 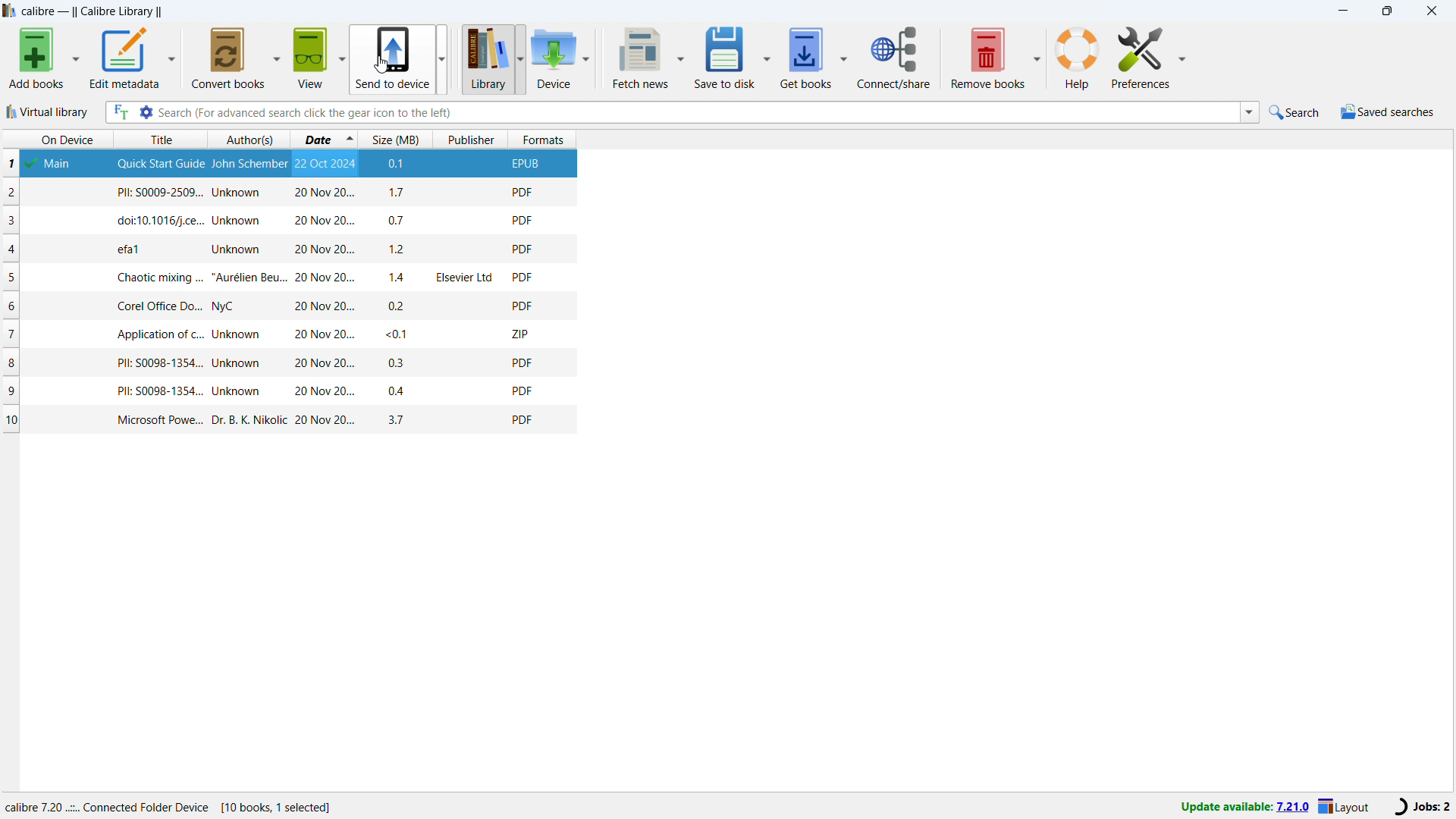 I want to click on edit metadata options, so click(x=173, y=57).